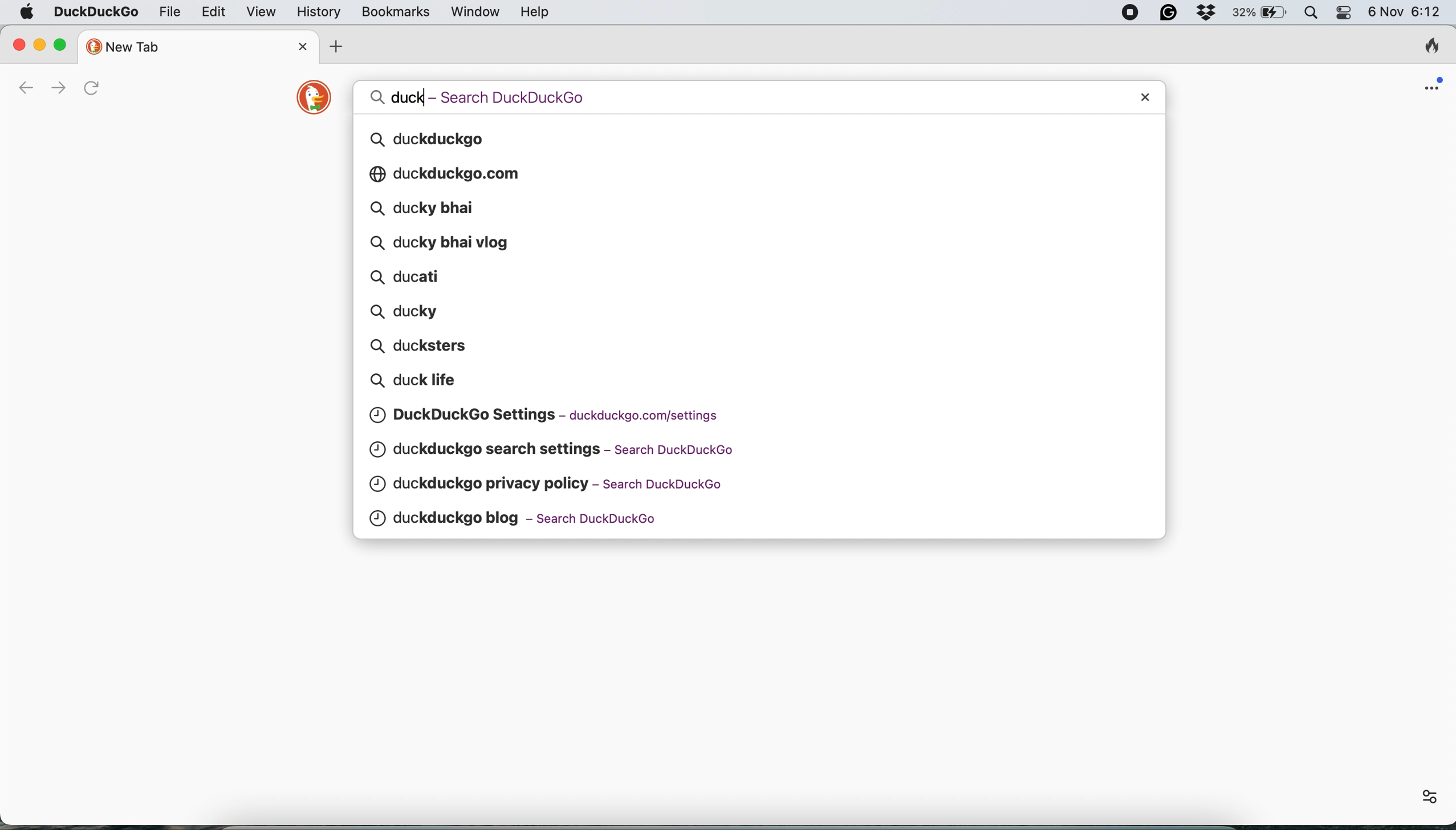  Describe the element at coordinates (424, 344) in the screenshot. I see `ducksters` at that location.